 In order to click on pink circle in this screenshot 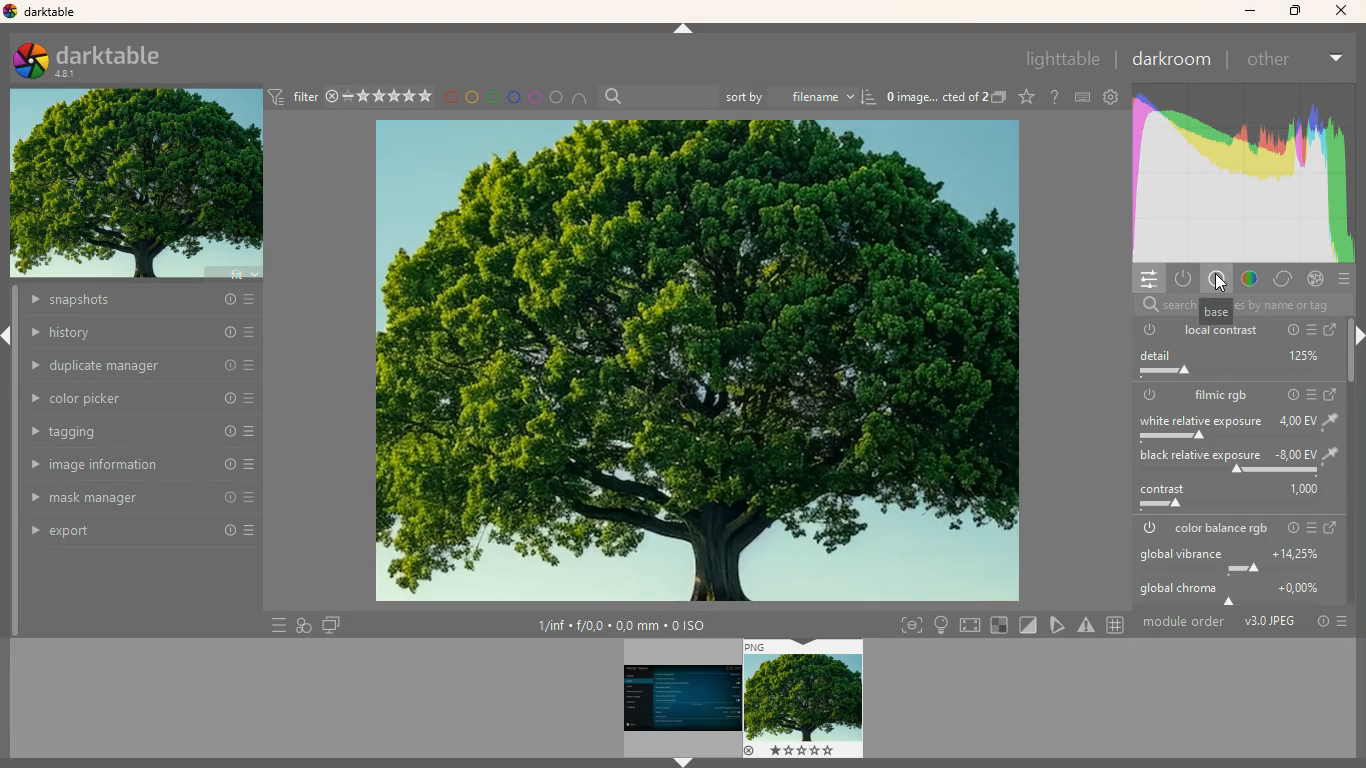, I will do `click(534, 95)`.